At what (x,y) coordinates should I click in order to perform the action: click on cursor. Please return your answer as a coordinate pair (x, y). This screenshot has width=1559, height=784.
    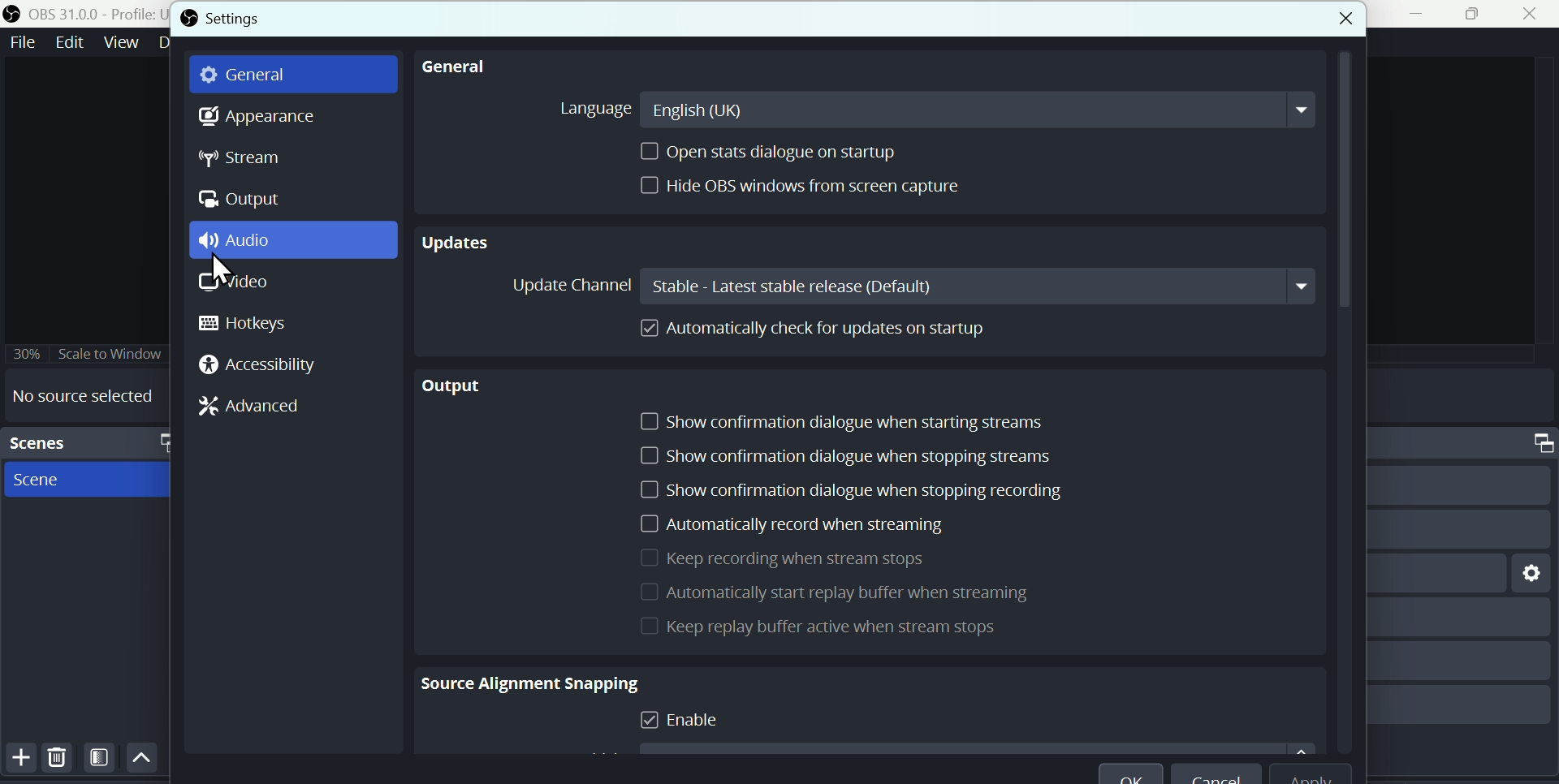
    Looking at the image, I should click on (228, 269).